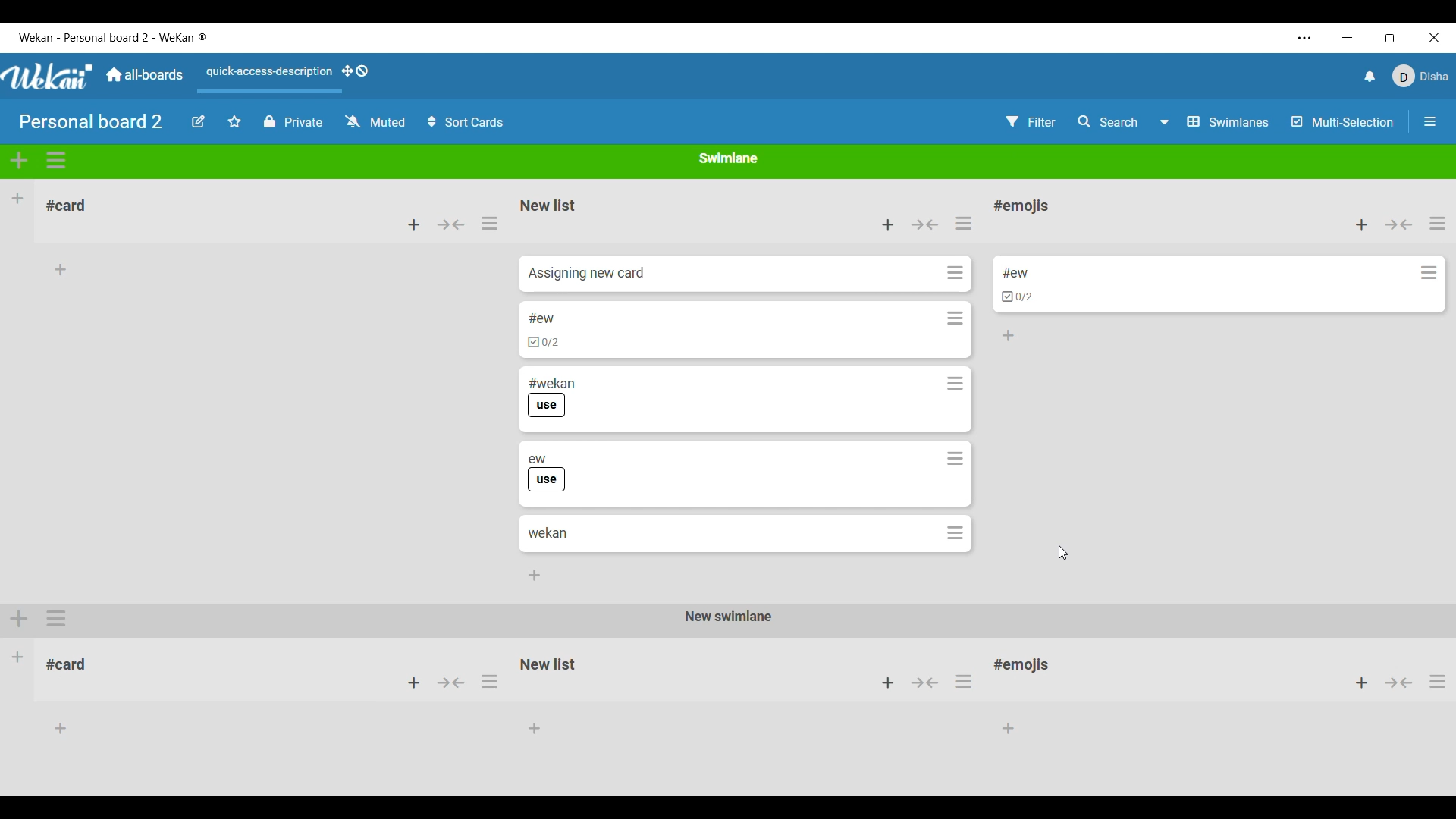 Image resolution: width=1456 pixels, height=819 pixels. Describe the element at coordinates (1062, 552) in the screenshot. I see `Cursor position unchanged` at that location.